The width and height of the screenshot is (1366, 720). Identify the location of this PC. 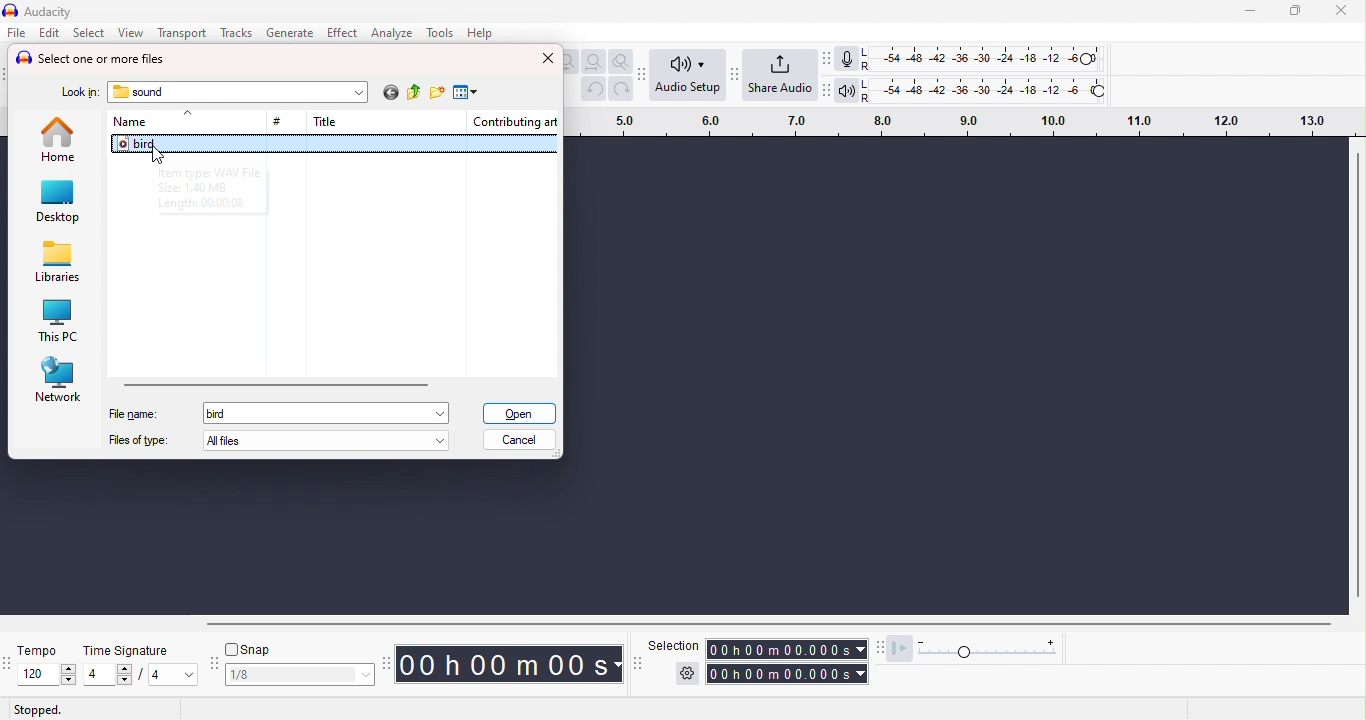
(57, 322).